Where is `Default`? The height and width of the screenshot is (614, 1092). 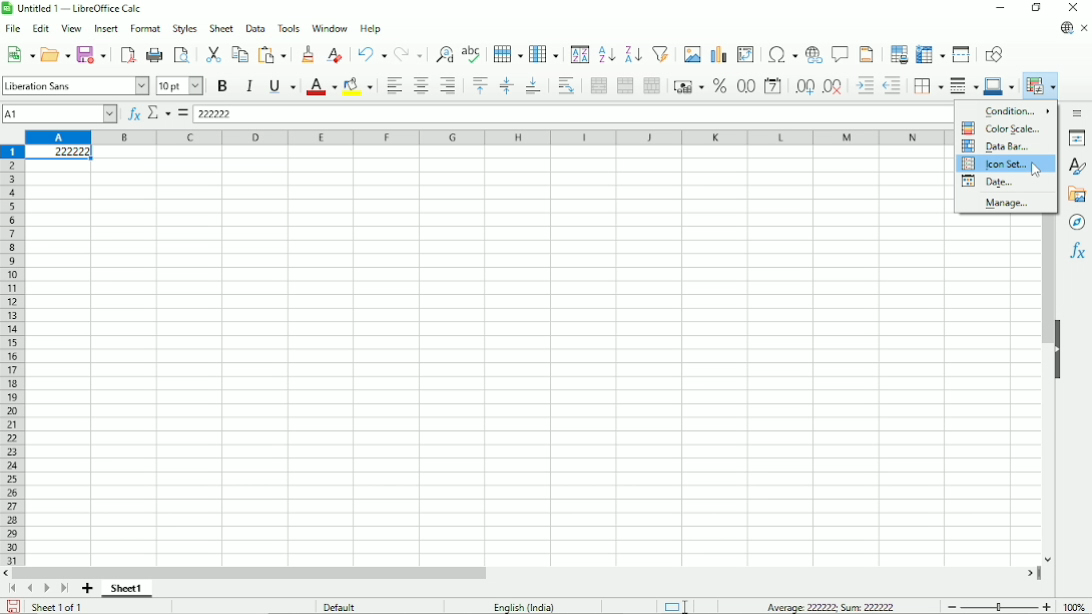 Default is located at coordinates (346, 606).